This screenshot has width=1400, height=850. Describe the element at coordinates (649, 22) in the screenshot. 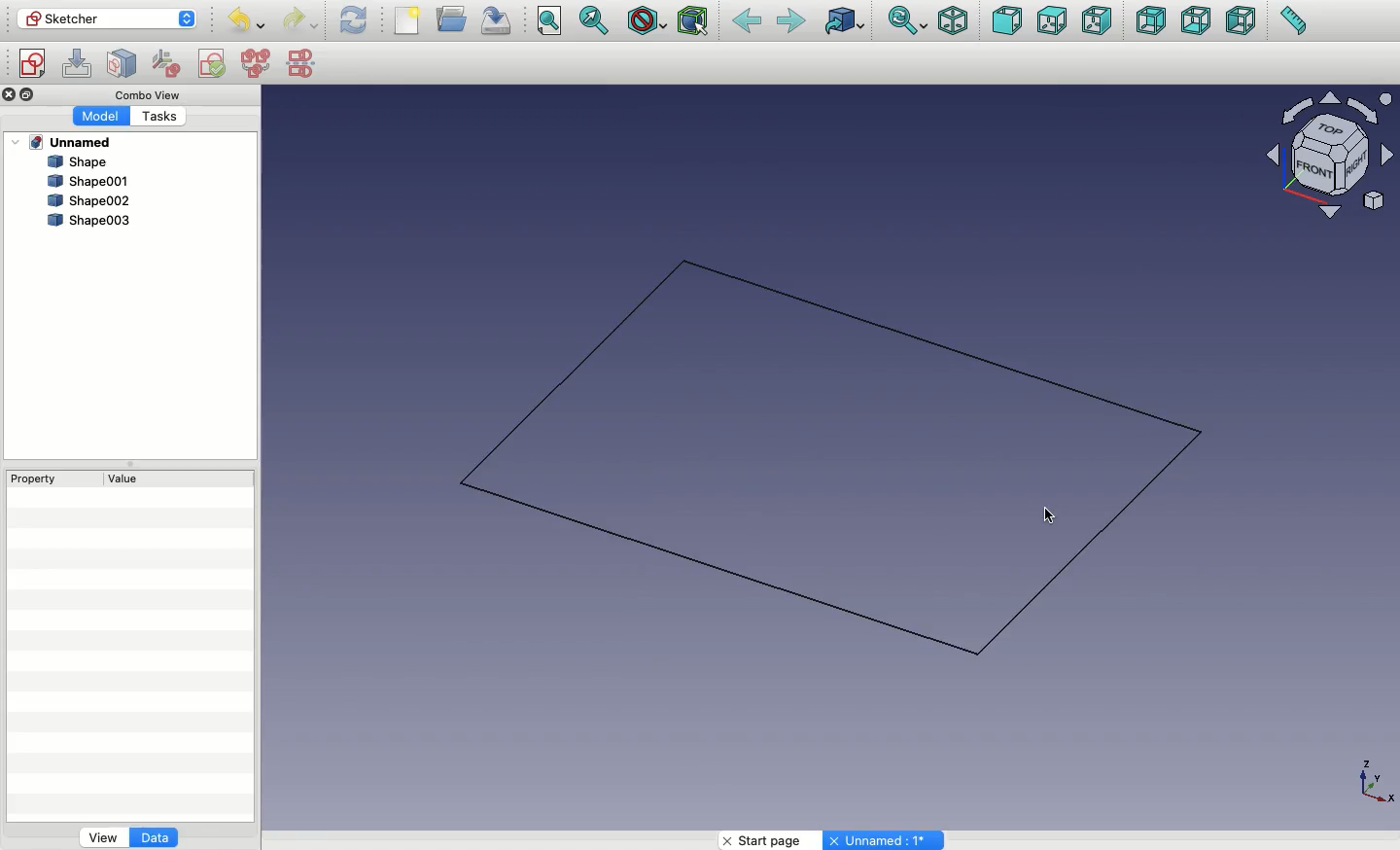

I see `Draw style` at that location.